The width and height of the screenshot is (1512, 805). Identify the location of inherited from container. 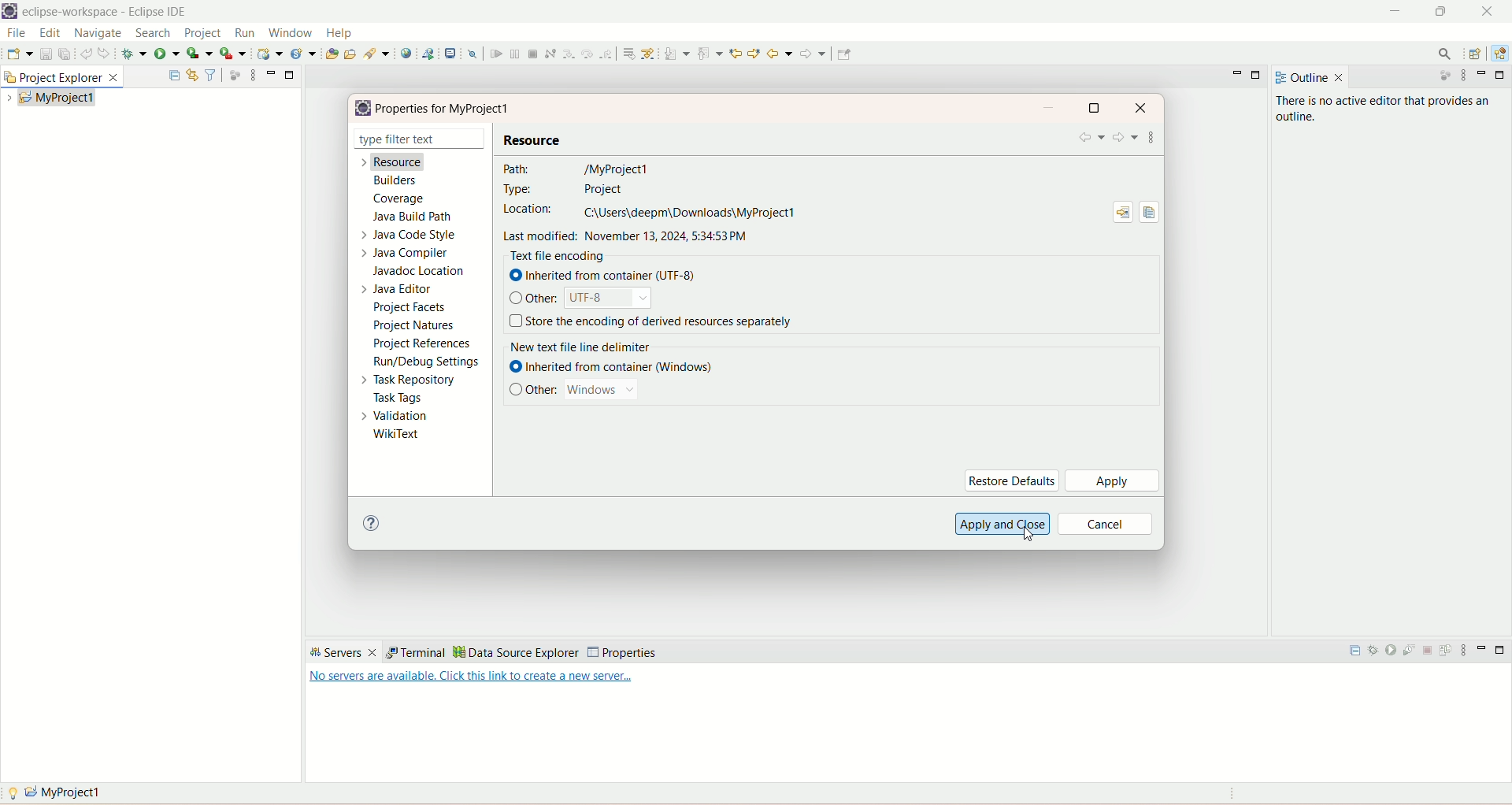
(623, 369).